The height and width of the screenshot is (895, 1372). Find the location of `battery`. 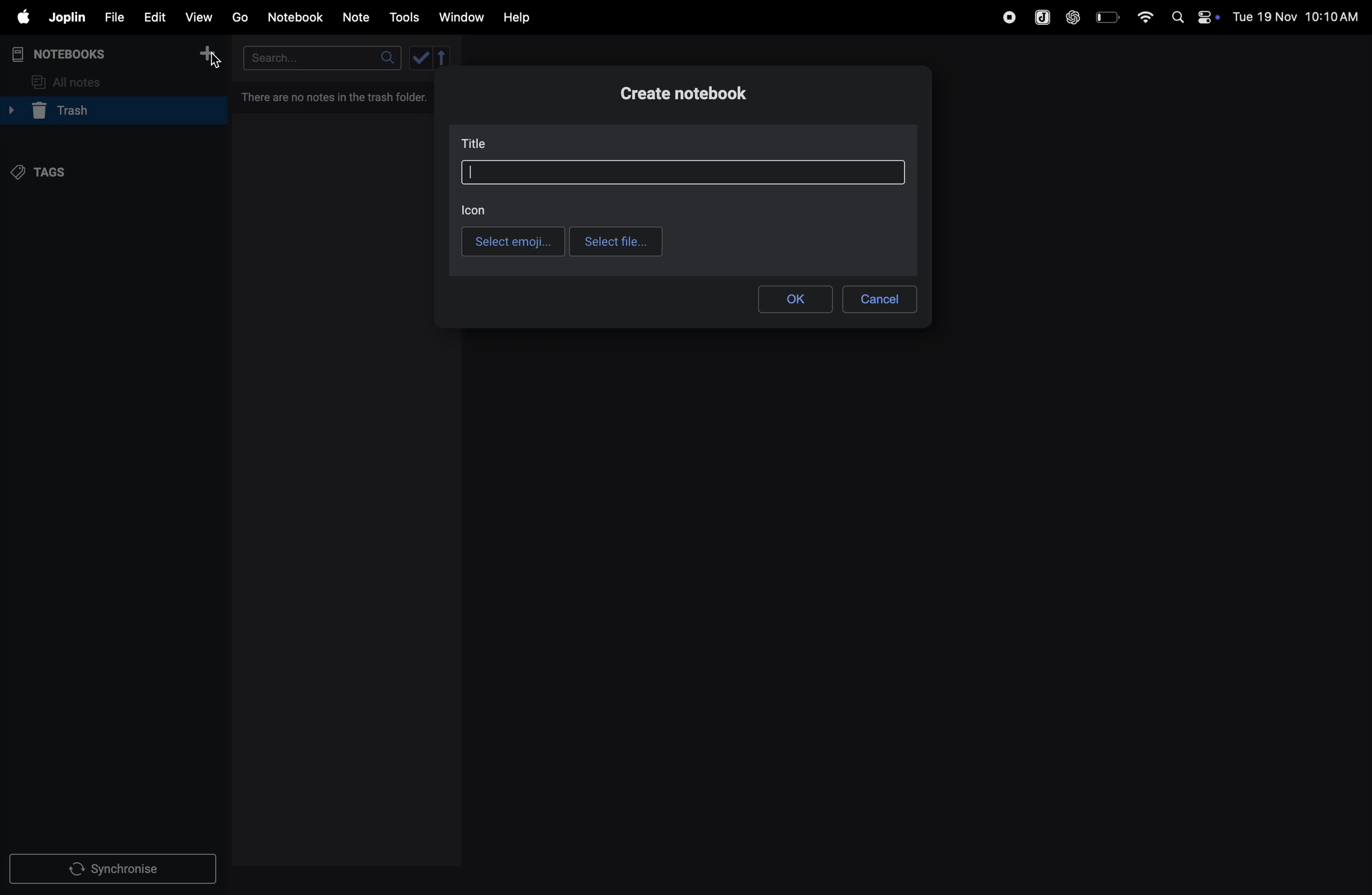

battery is located at coordinates (1106, 17).